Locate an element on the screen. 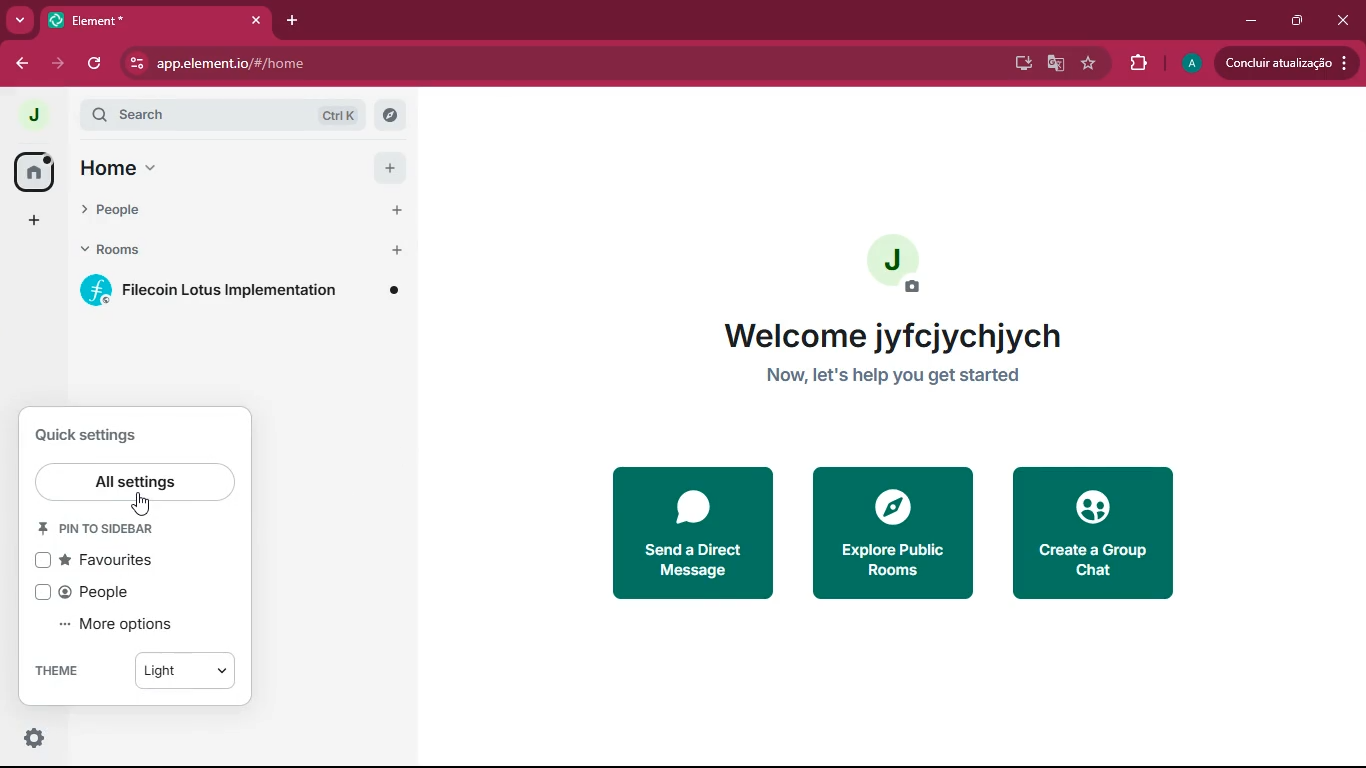 The height and width of the screenshot is (768, 1366). cursor is located at coordinates (140, 504).